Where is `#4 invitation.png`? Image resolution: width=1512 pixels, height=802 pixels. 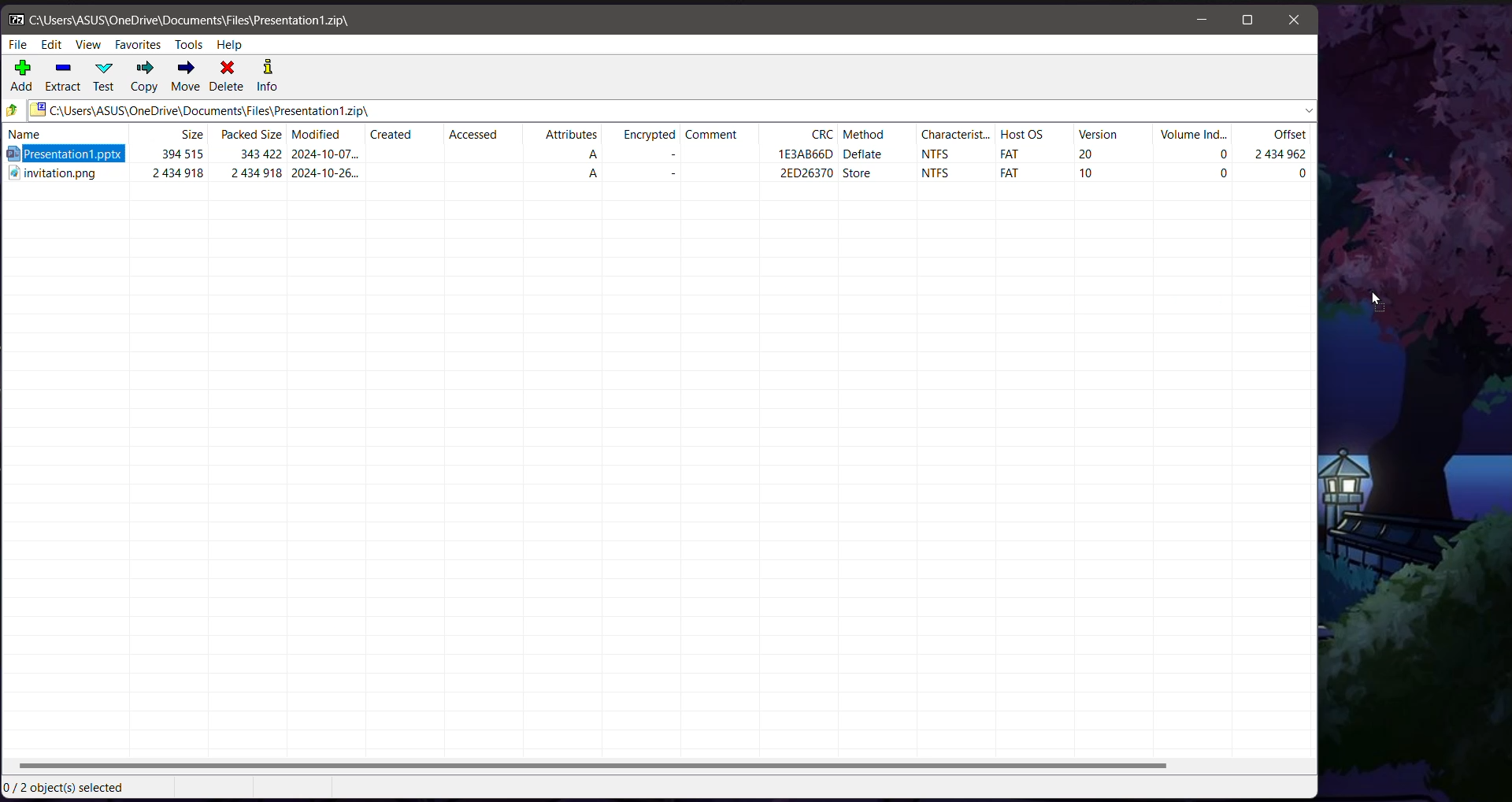
#4 invitation.png is located at coordinates (55, 178).